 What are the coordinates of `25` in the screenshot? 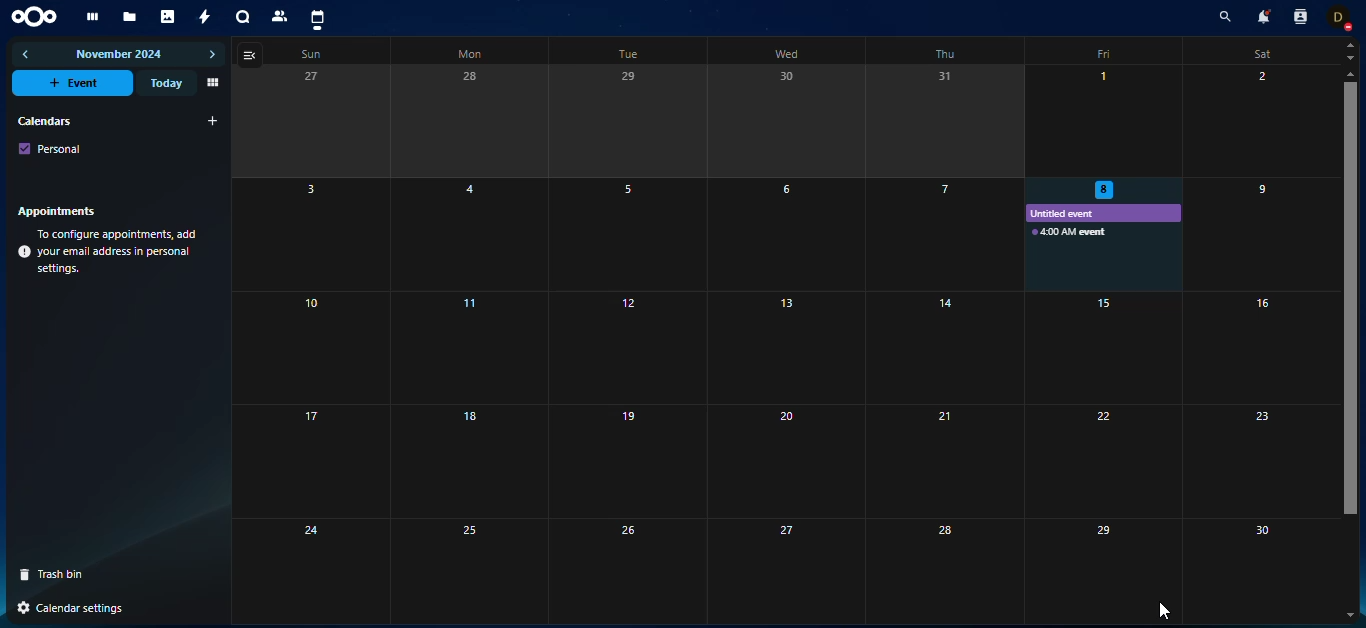 It's located at (466, 568).